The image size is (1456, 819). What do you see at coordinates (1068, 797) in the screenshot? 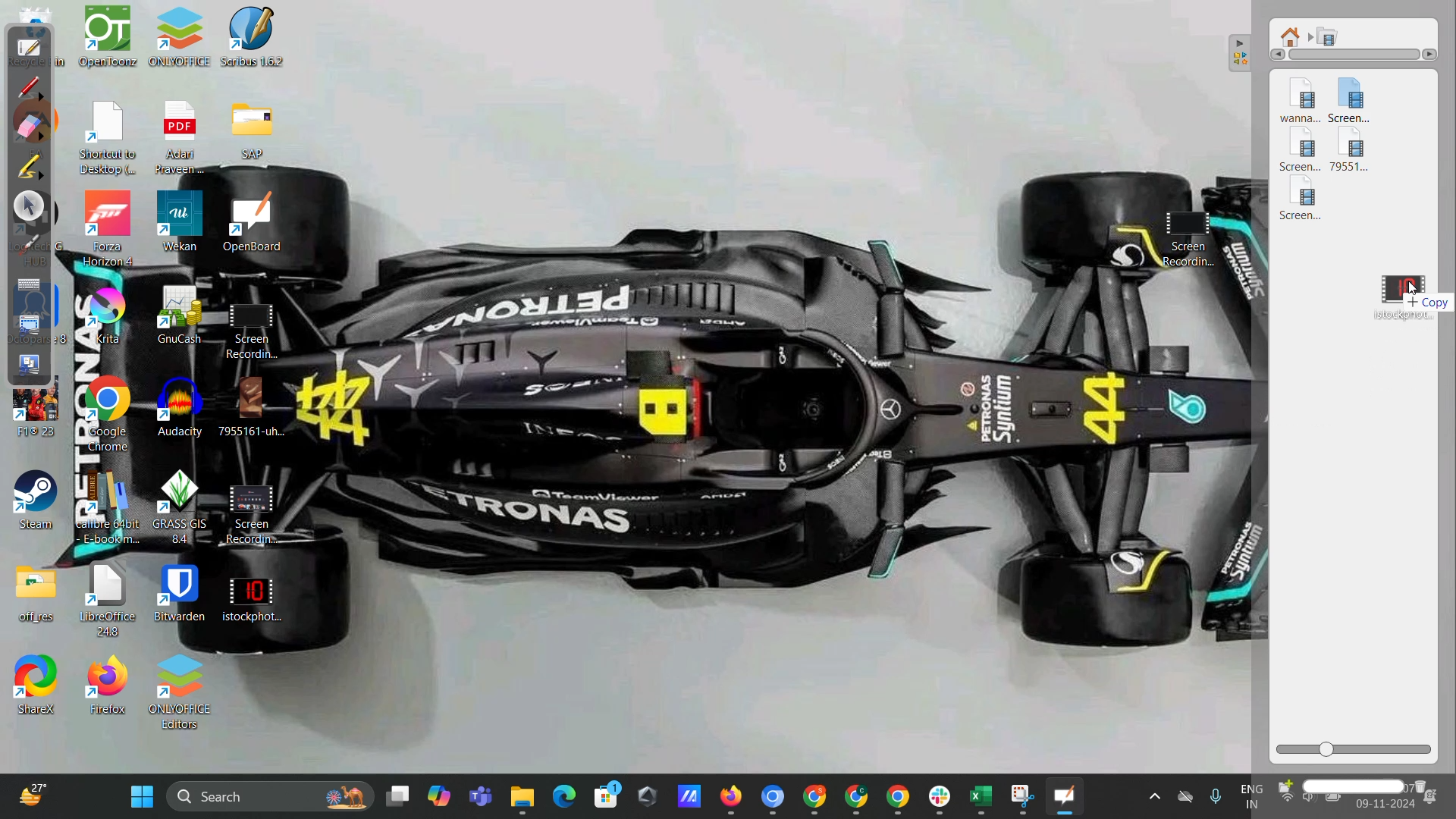
I see `minimized Openboard` at bounding box center [1068, 797].